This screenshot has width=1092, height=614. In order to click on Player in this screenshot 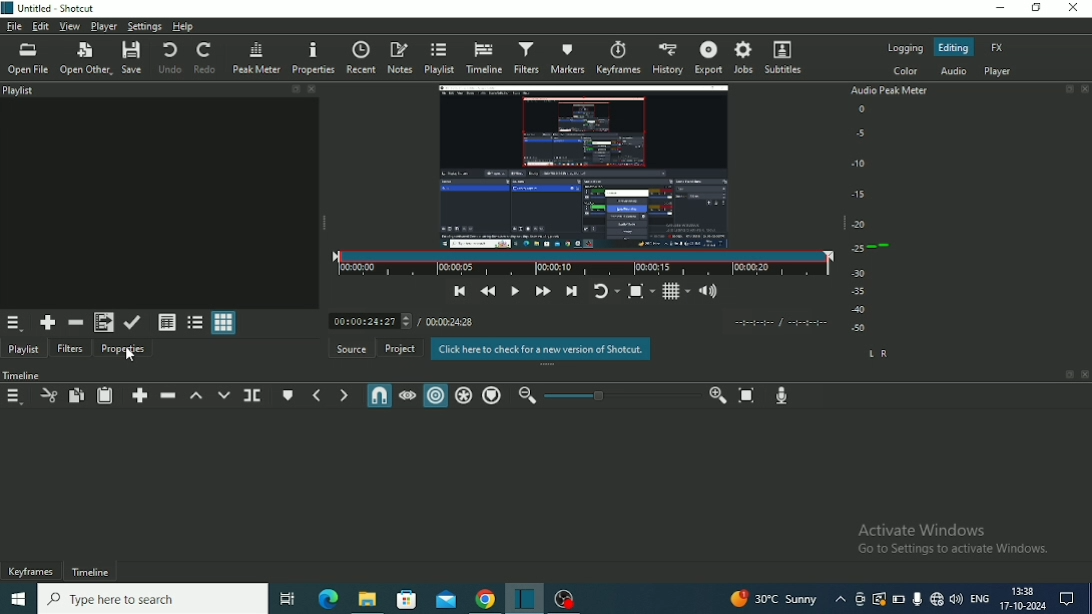, I will do `click(103, 26)`.